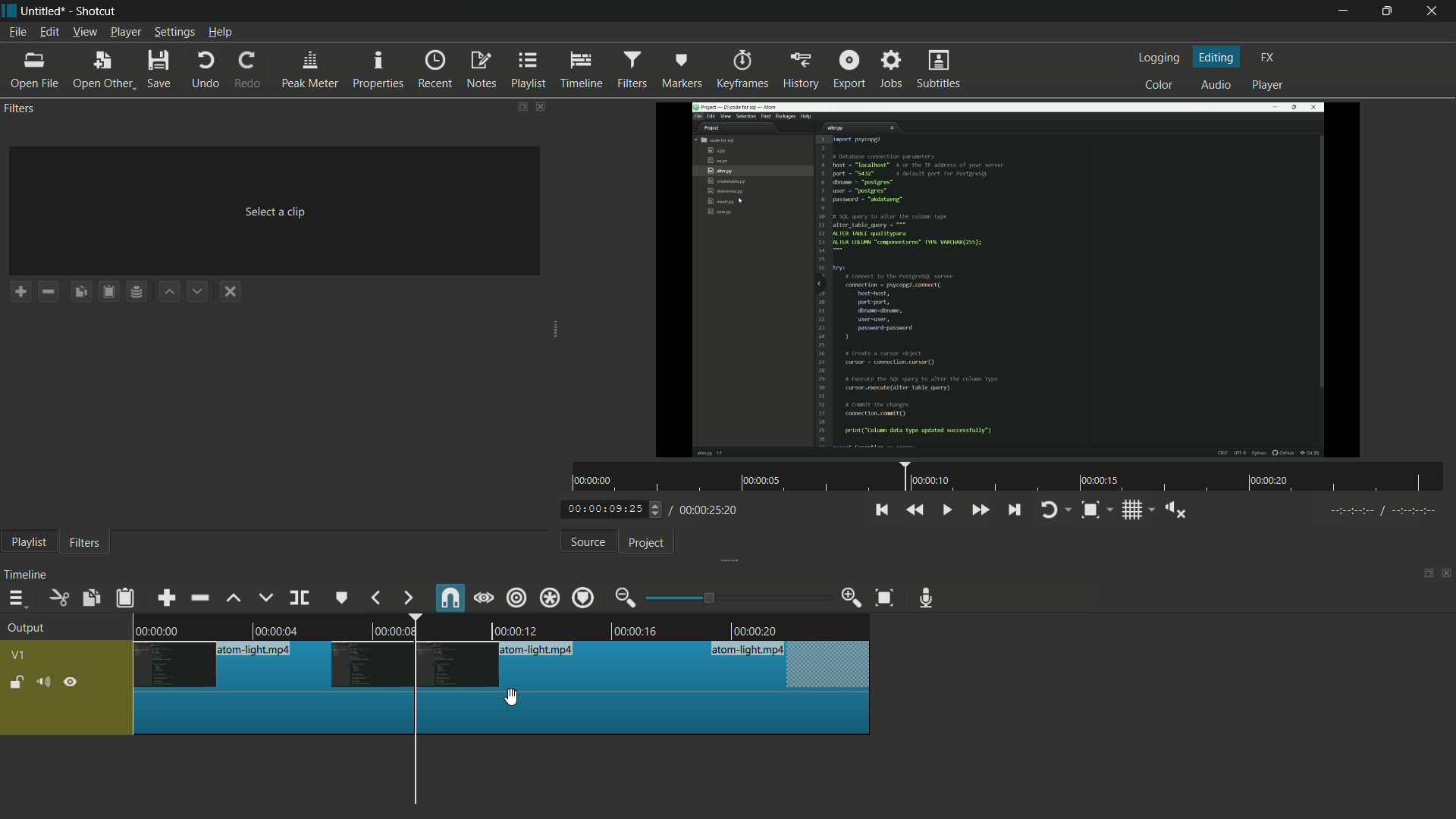 The width and height of the screenshot is (1456, 819). Describe the element at coordinates (1447, 573) in the screenshot. I see `close timeline` at that location.